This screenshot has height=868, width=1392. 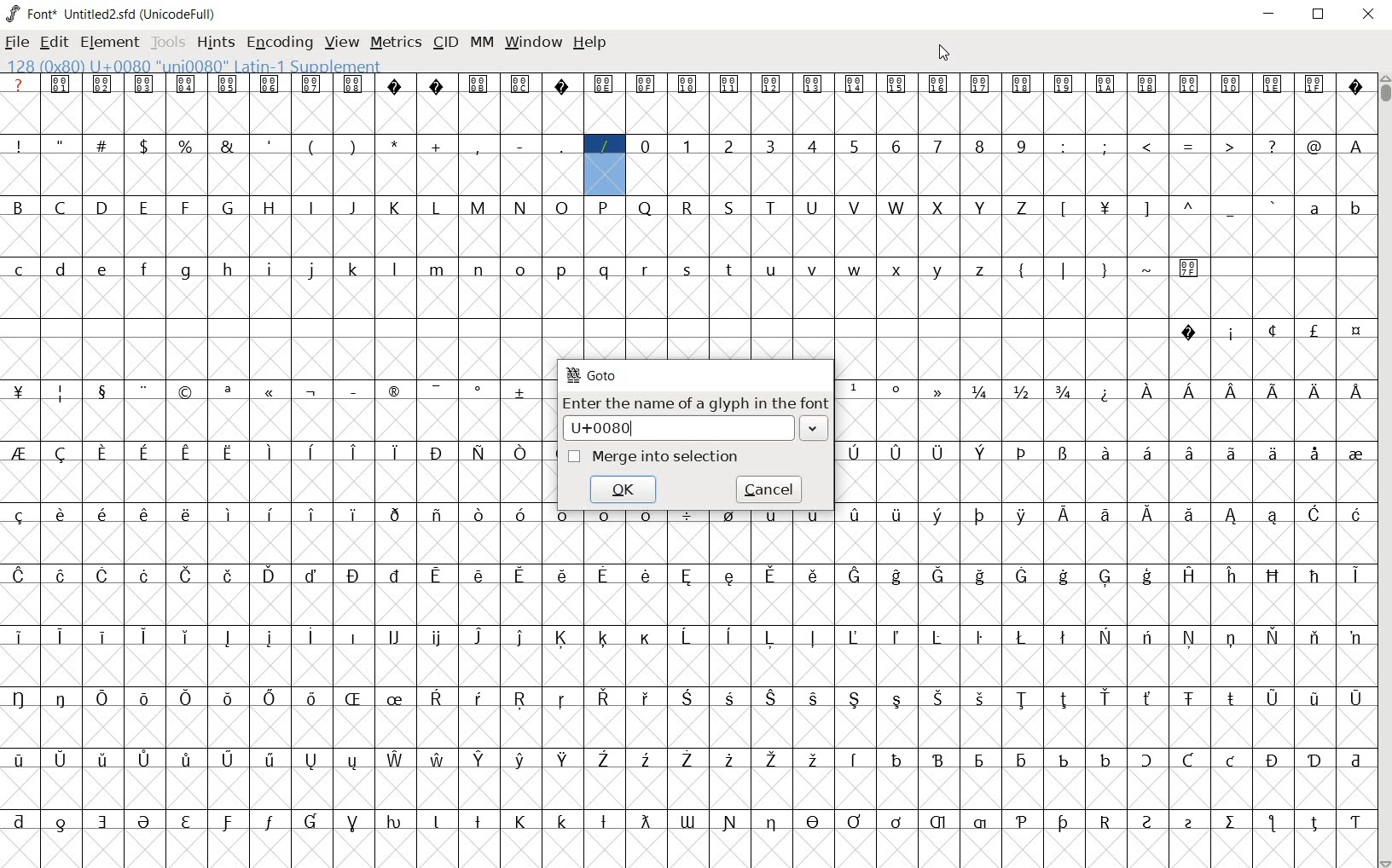 I want to click on glyph, so click(x=435, y=208).